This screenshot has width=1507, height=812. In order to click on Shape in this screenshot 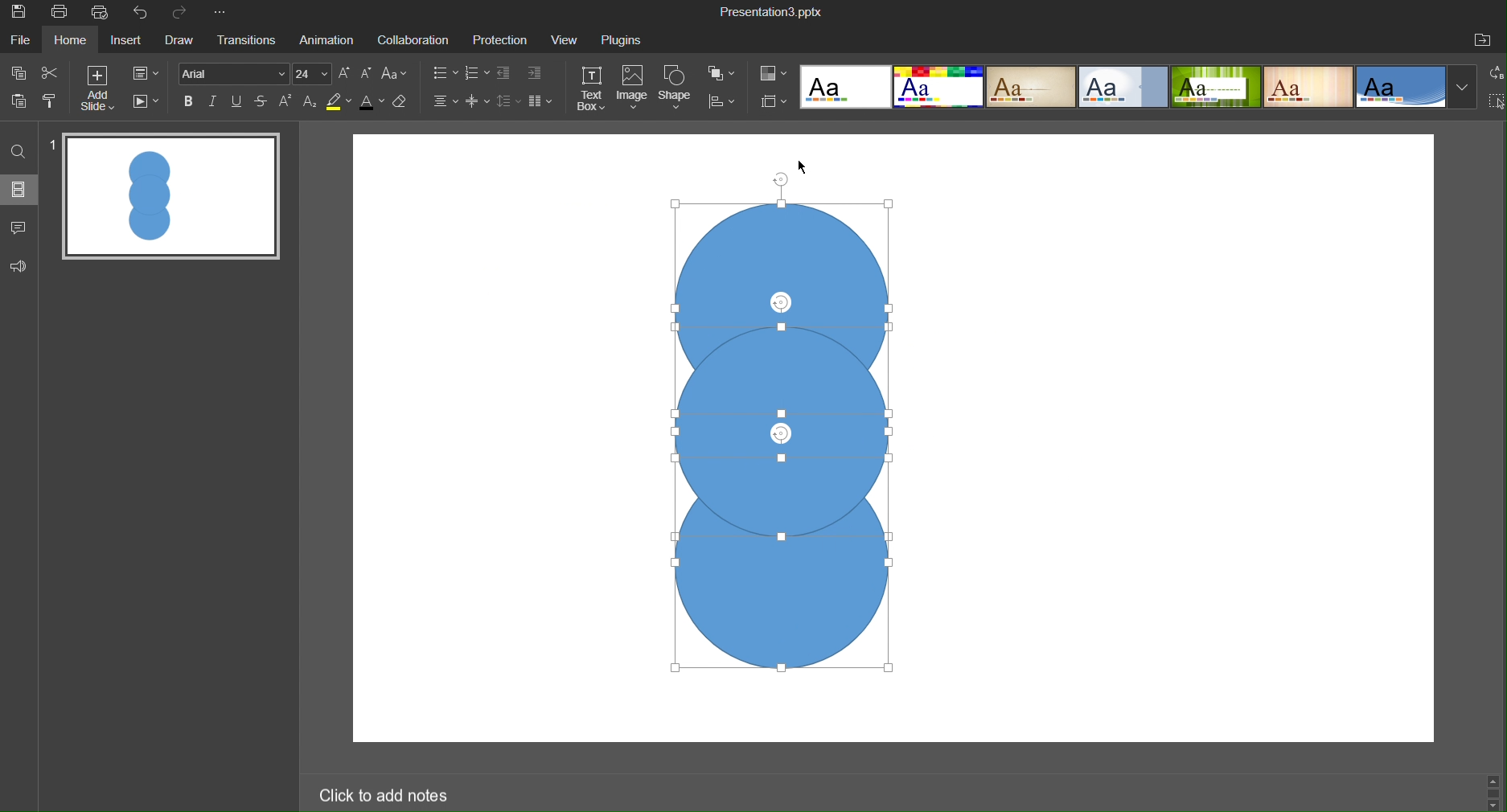, I will do `click(678, 89)`.